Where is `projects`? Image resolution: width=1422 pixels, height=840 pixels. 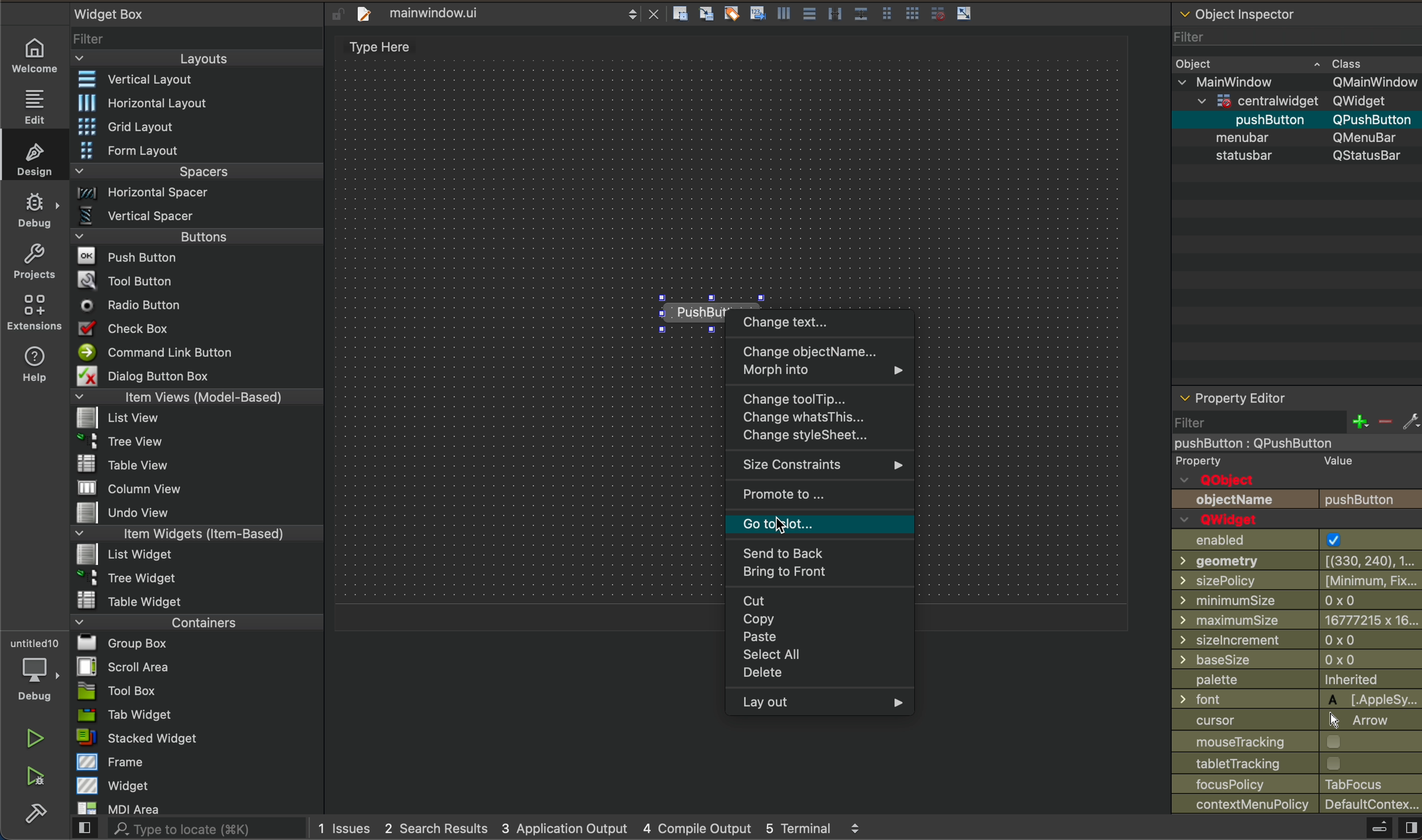
projects is located at coordinates (34, 261).